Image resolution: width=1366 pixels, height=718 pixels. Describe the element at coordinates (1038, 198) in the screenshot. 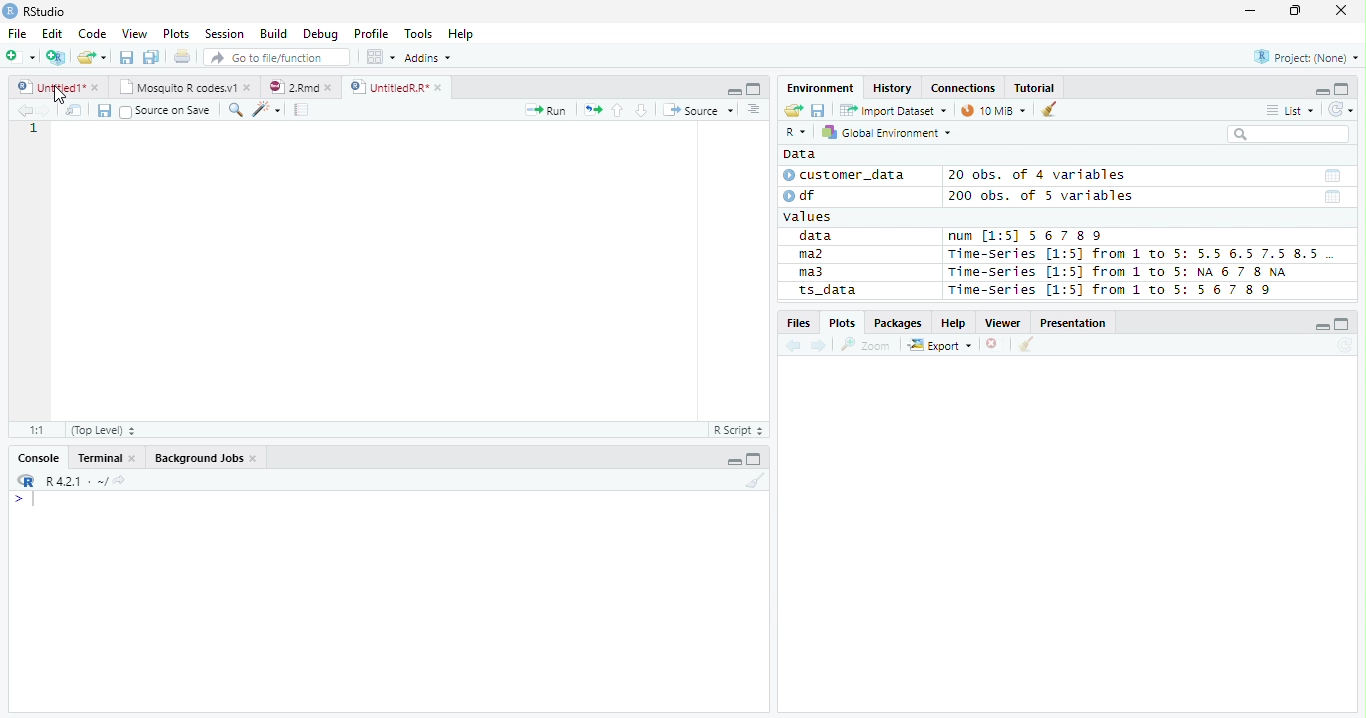

I see `200 obs. of 5 variables` at that location.